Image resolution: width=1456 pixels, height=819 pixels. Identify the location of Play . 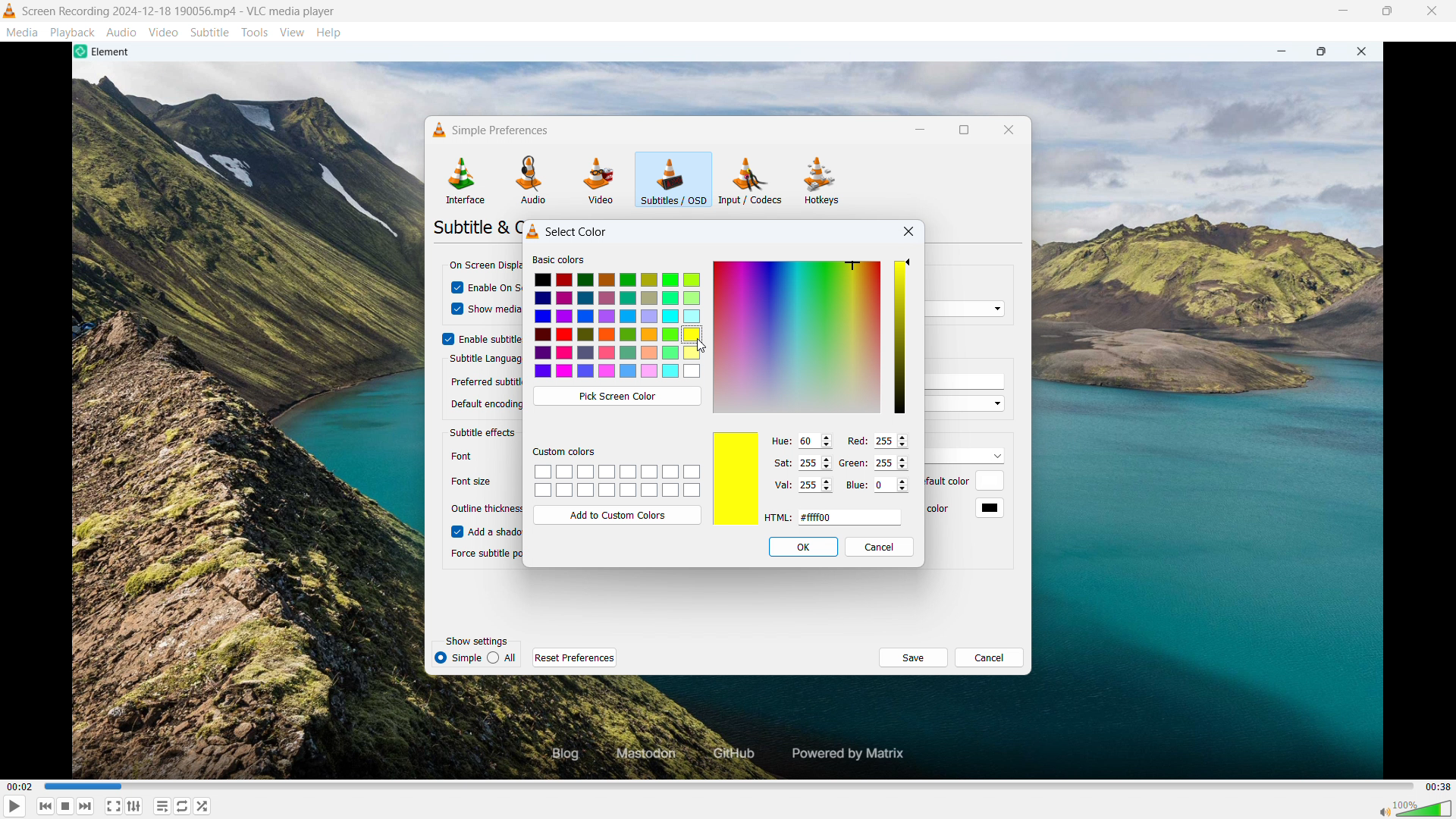
(14, 806).